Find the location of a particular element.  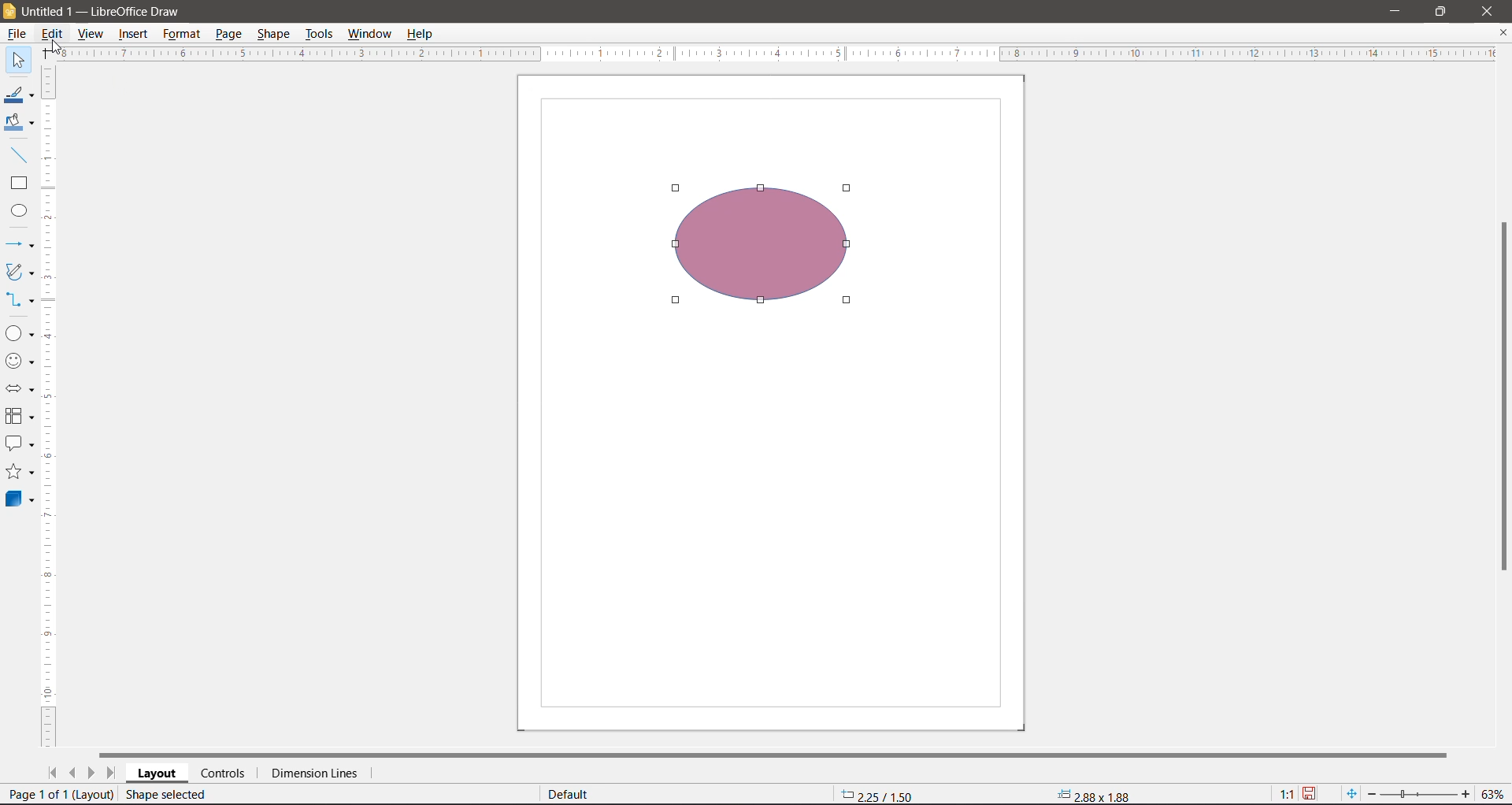

Horizontal Scroll Bar is located at coordinates (776, 754).